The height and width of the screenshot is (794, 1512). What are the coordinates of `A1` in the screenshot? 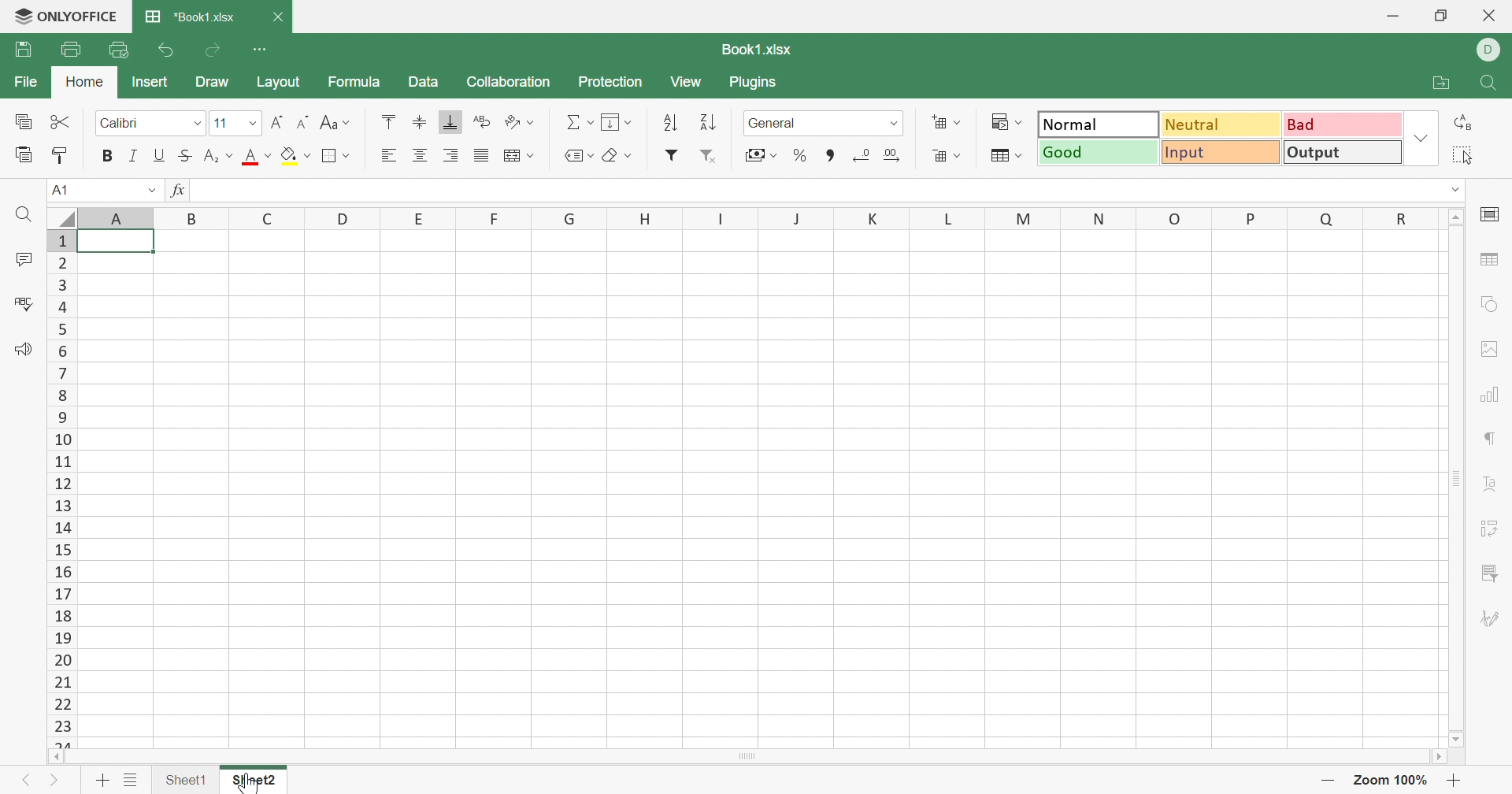 It's located at (65, 189).